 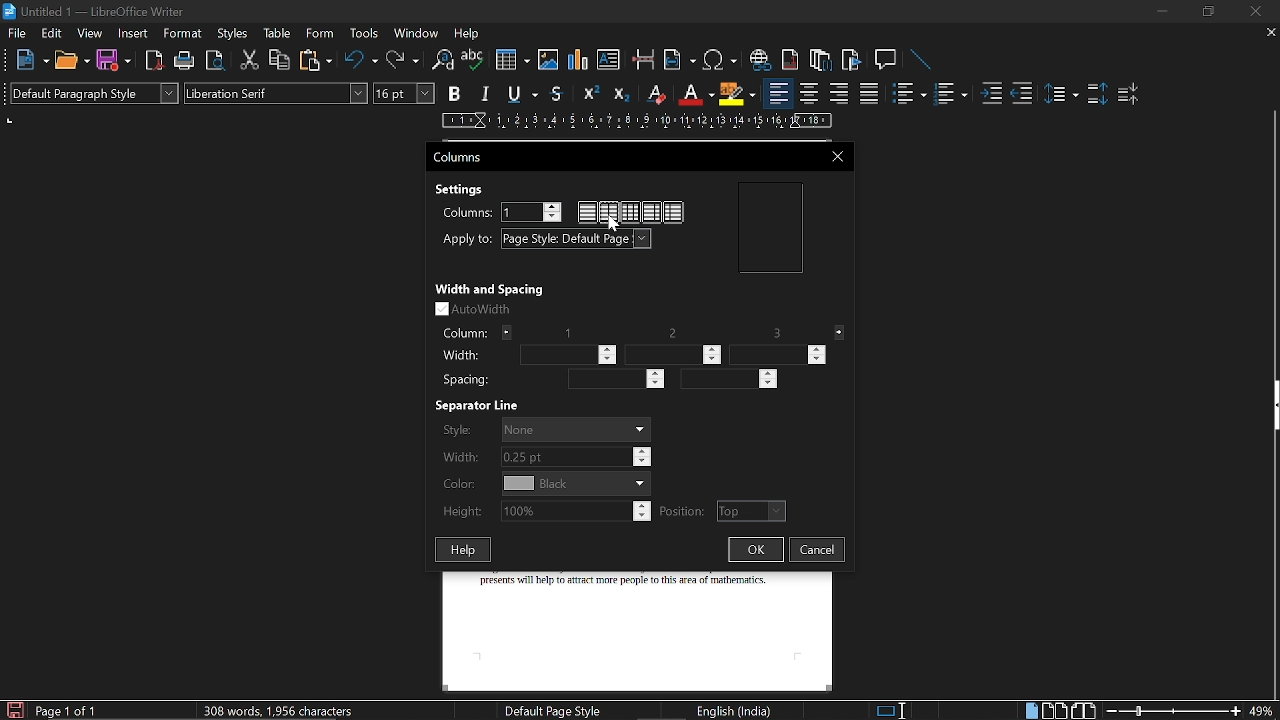 What do you see at coordinates (544, 429) in the screenshot?
I see `Style` at bounding box center [544, 429].